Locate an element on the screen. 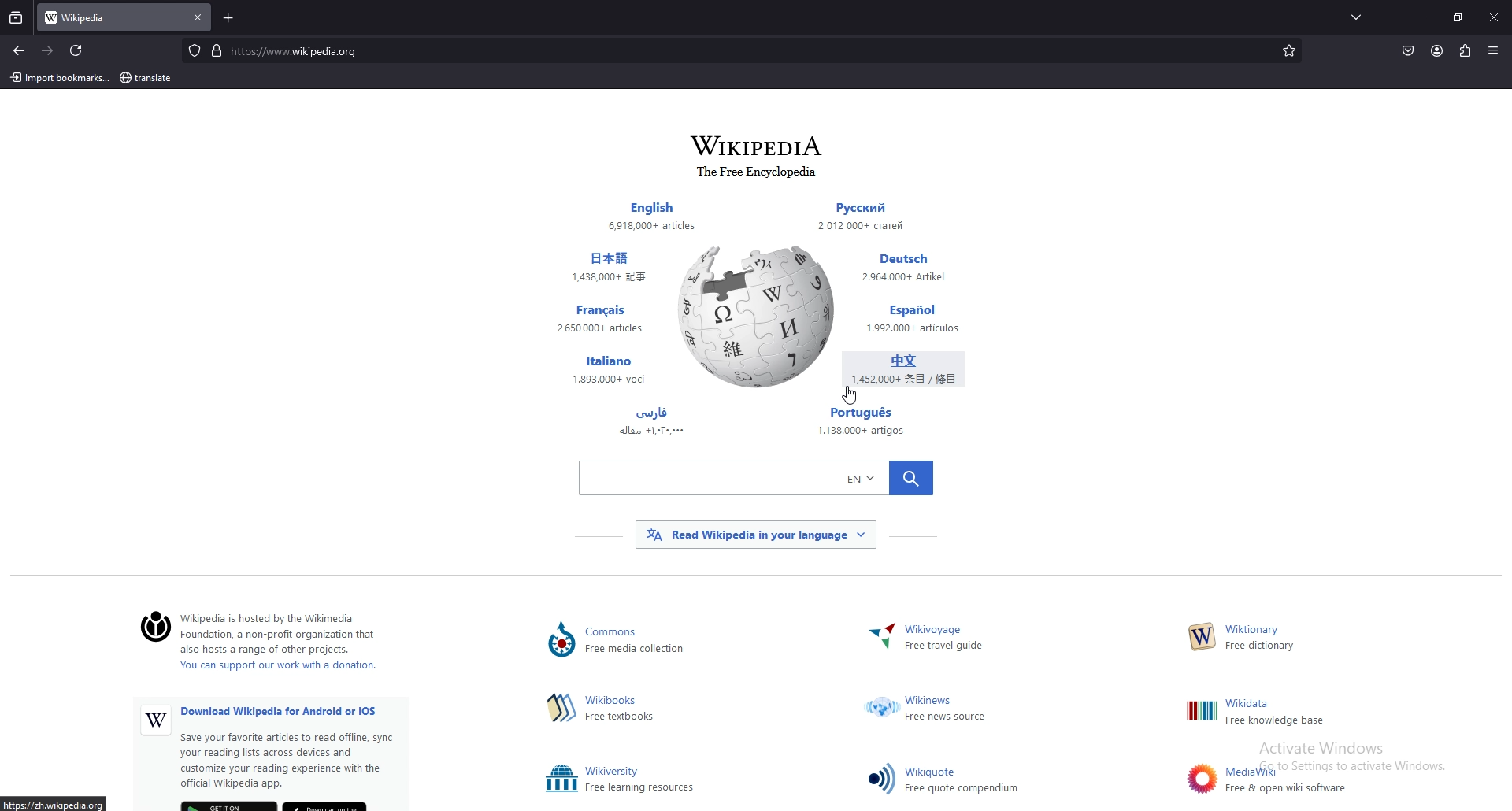 This screenshot has height=811, width=1512.  is located at coordinates (650, 424).